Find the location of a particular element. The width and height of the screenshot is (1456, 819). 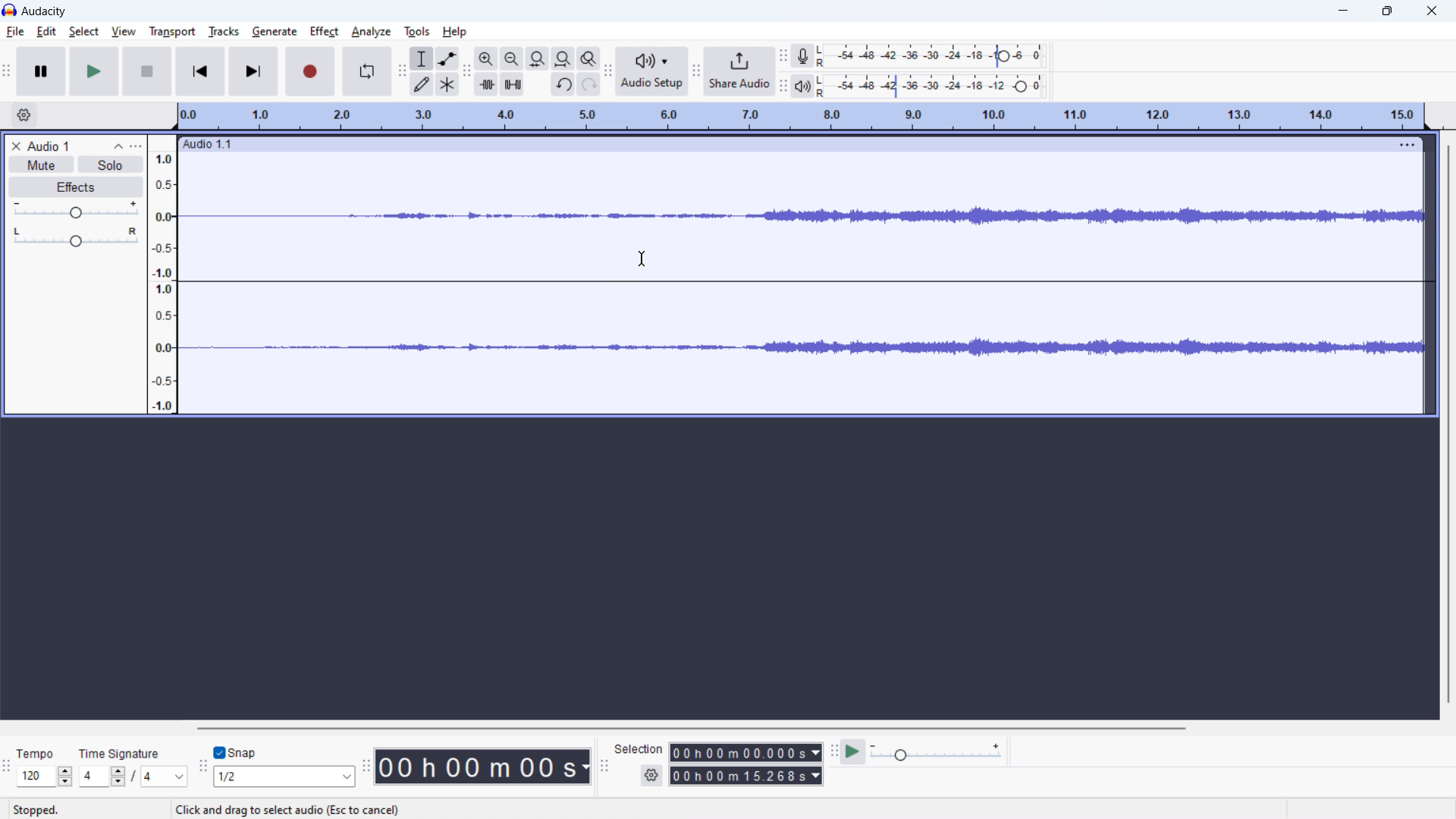

timeline settings is located at coordinates (24, 115).